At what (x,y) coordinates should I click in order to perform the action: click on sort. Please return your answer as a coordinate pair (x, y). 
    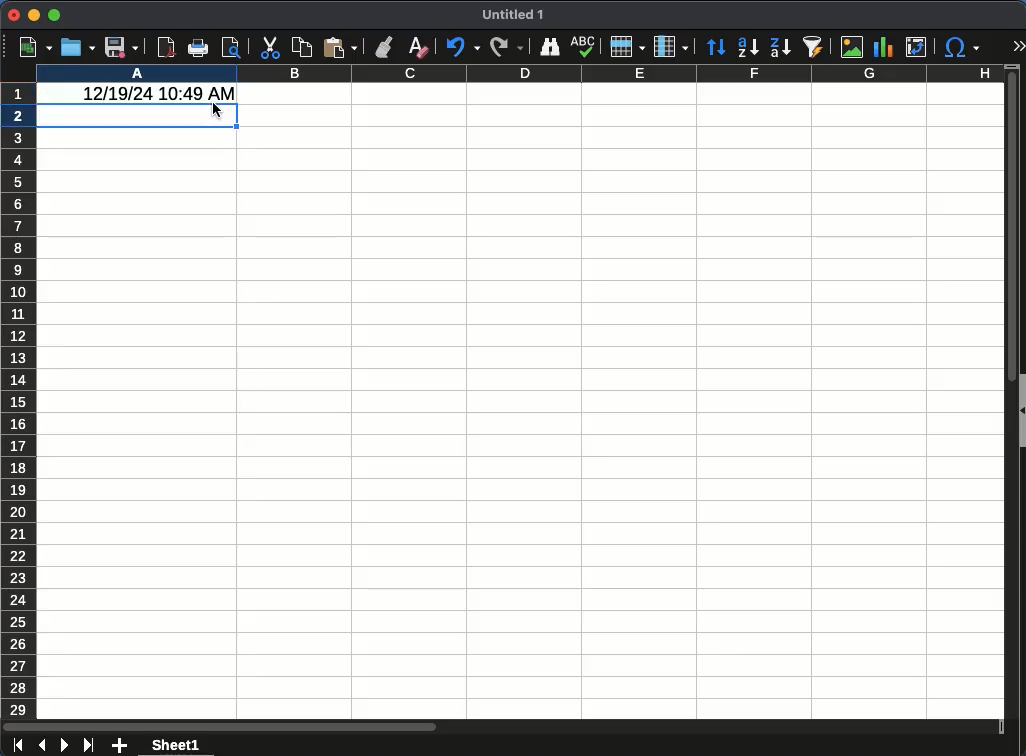
    Looking at the image, I should click on (716, 48).